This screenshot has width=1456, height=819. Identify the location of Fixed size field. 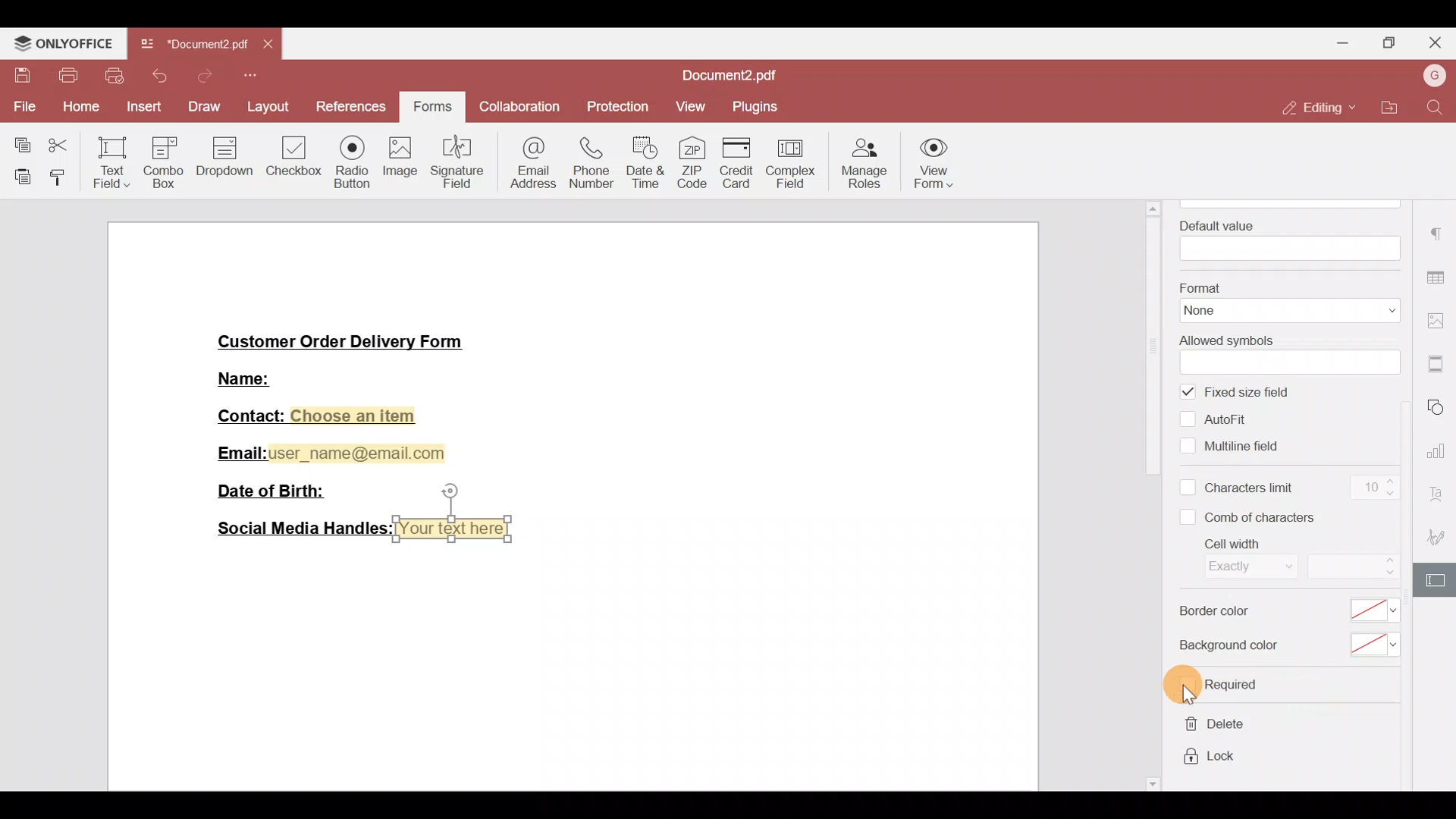
(1249, 393).